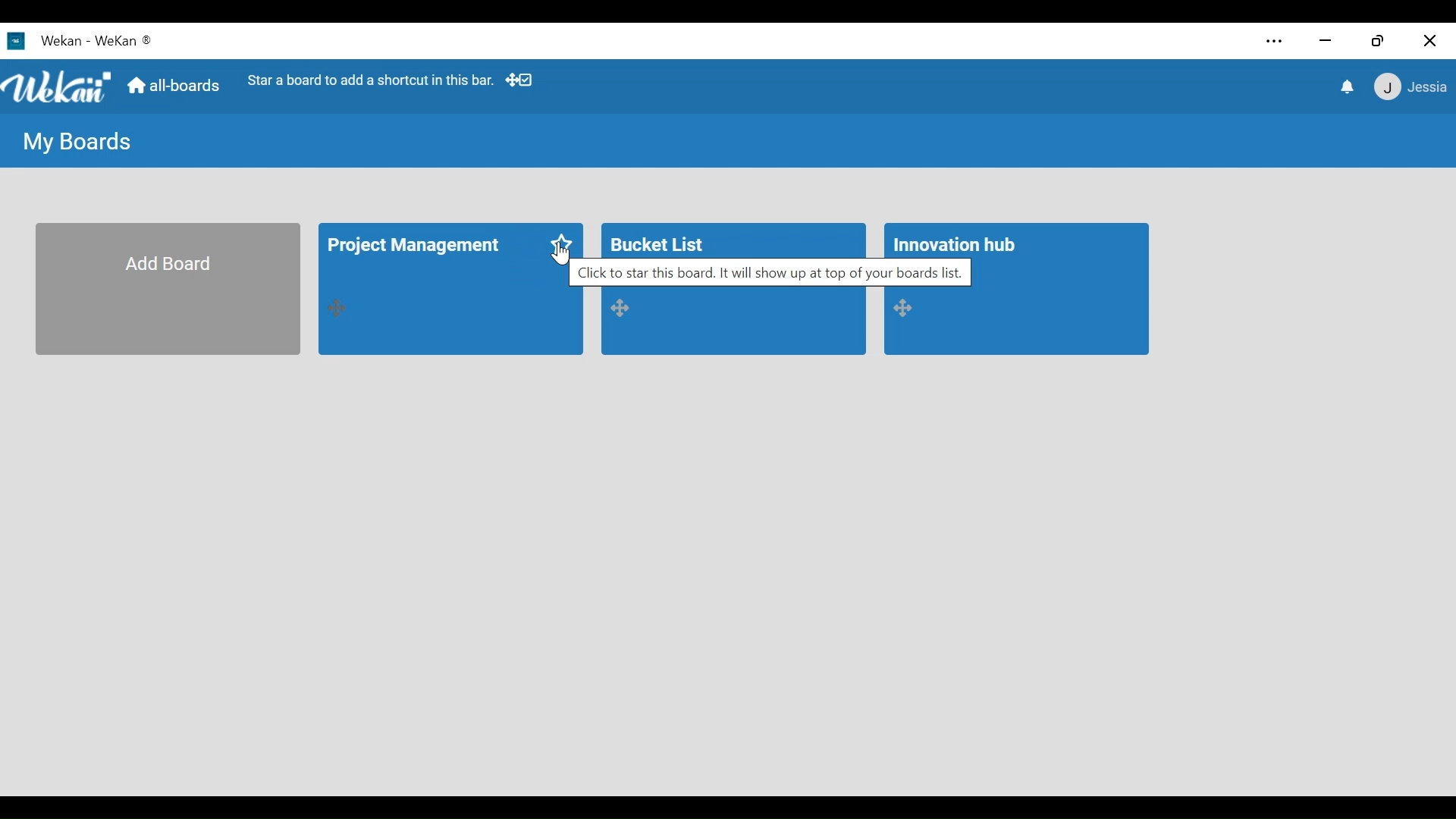 This screenshot has height=819, width=1456. I want to click on settings and more, so click(1272, 42).